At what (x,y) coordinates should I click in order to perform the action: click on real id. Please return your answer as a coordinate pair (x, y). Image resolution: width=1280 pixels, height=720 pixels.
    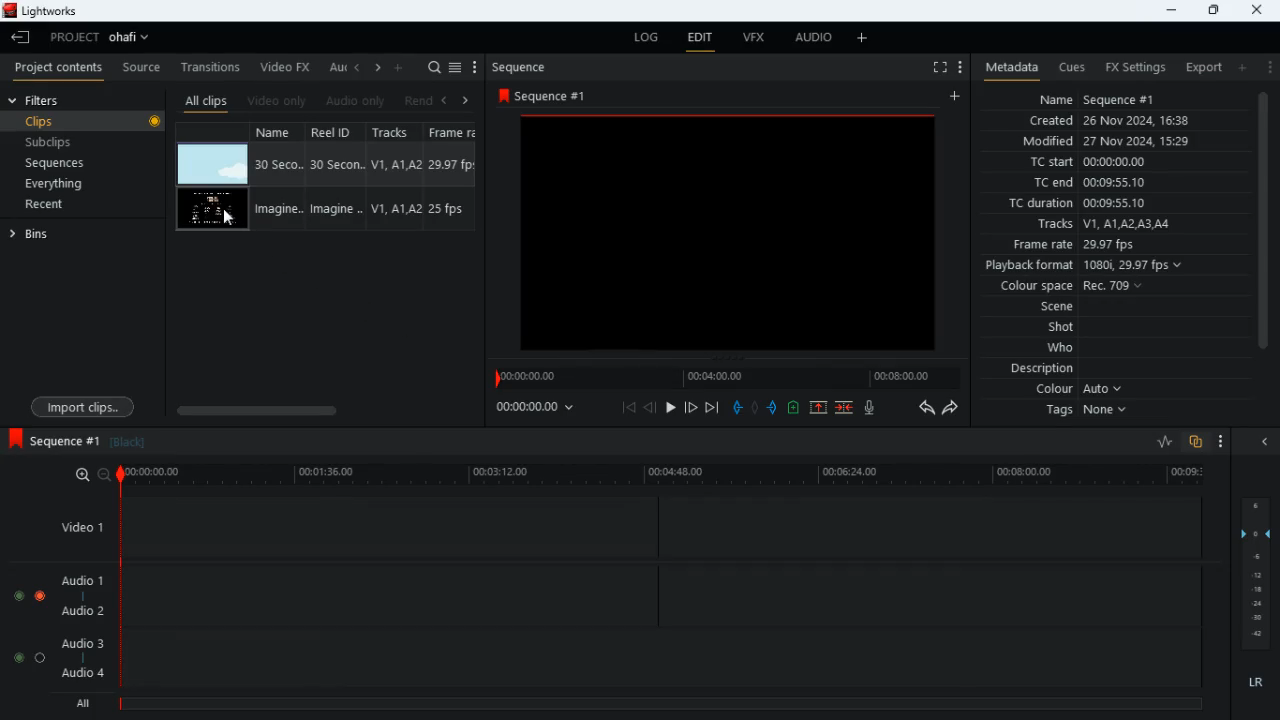
    Looking at the image, I should click on (338, 132).